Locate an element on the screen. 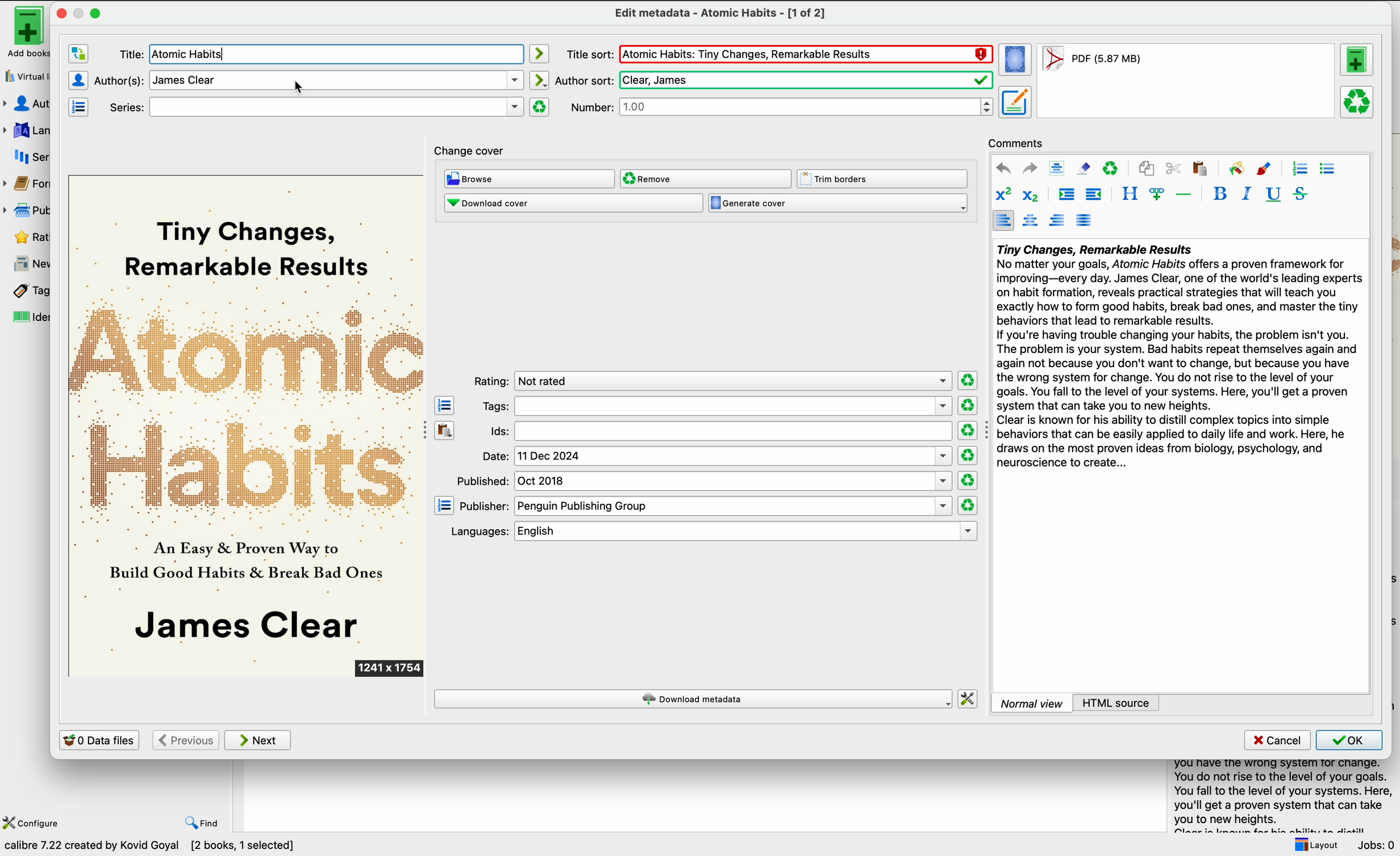  summary book is located at coordinates (1278, 794).